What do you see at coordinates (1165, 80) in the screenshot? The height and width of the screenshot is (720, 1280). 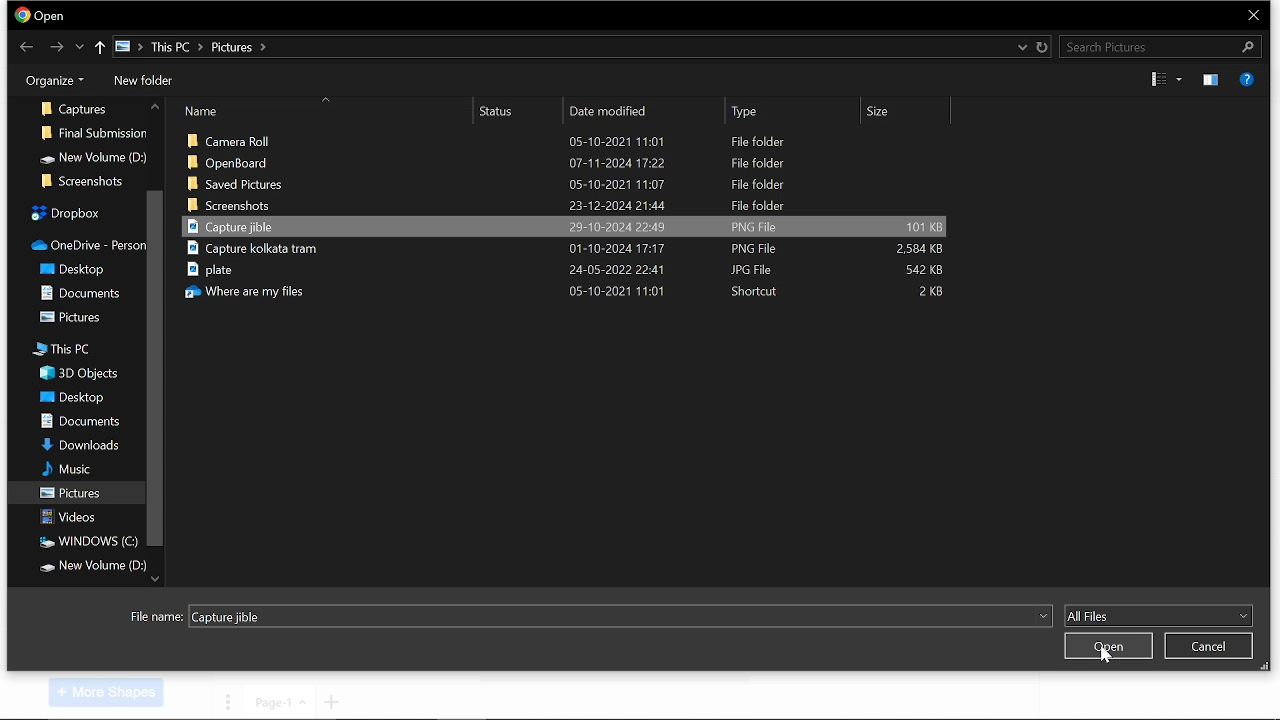 I see `view options` at bounding box center [1165, 80].